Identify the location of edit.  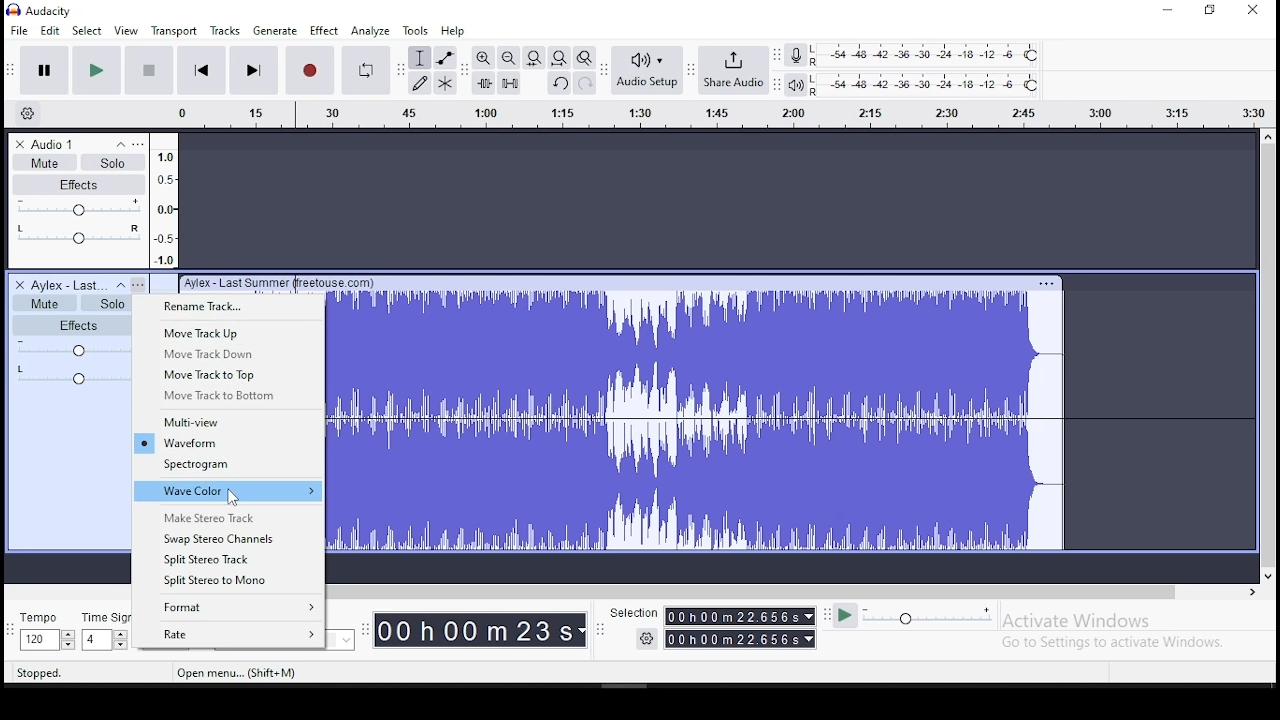
(49, 31).